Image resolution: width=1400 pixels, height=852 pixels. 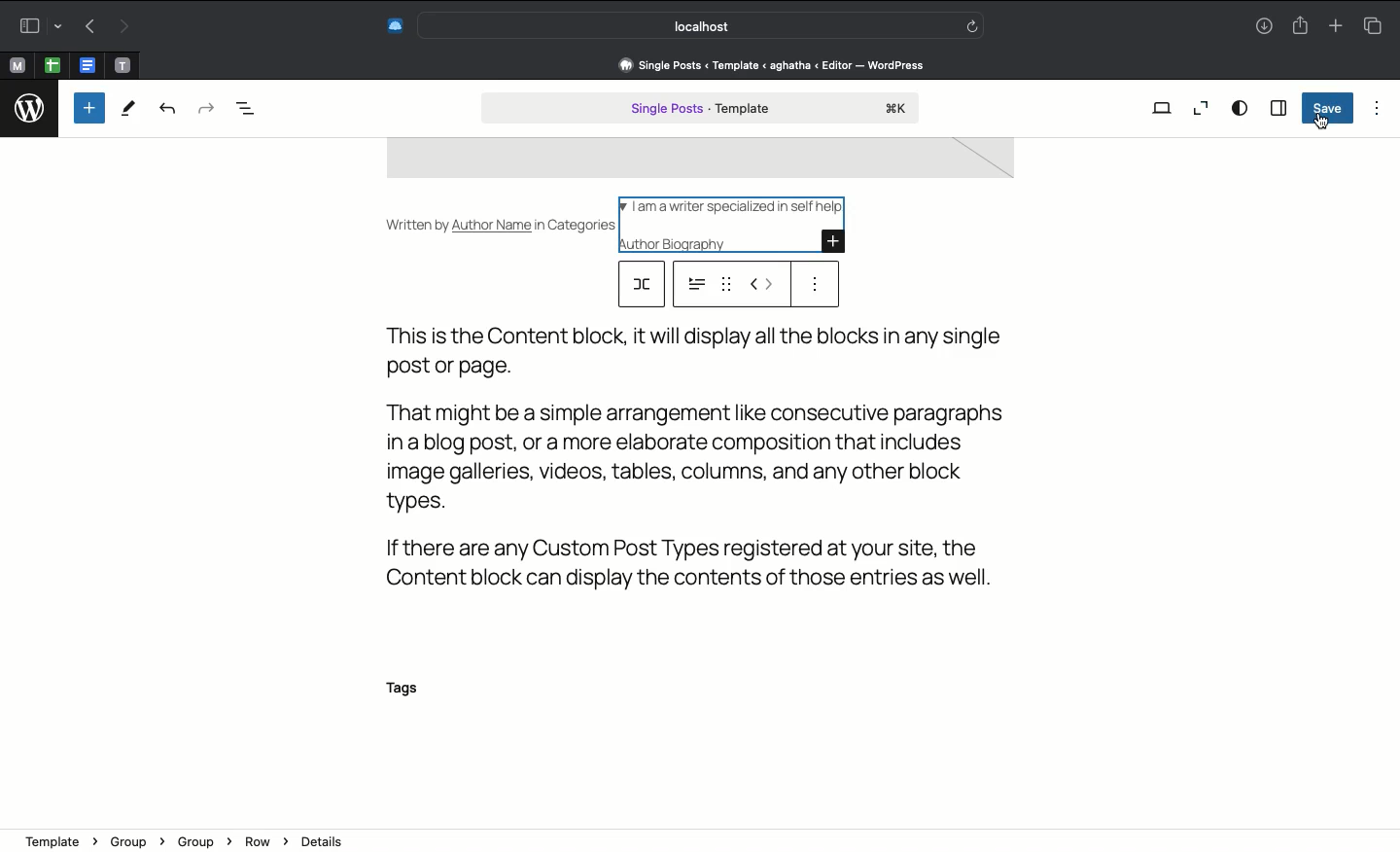 What do you see at coordinates (735, 240) in the screenshot?
I see `Author biography` at bounding box center [735, 240].